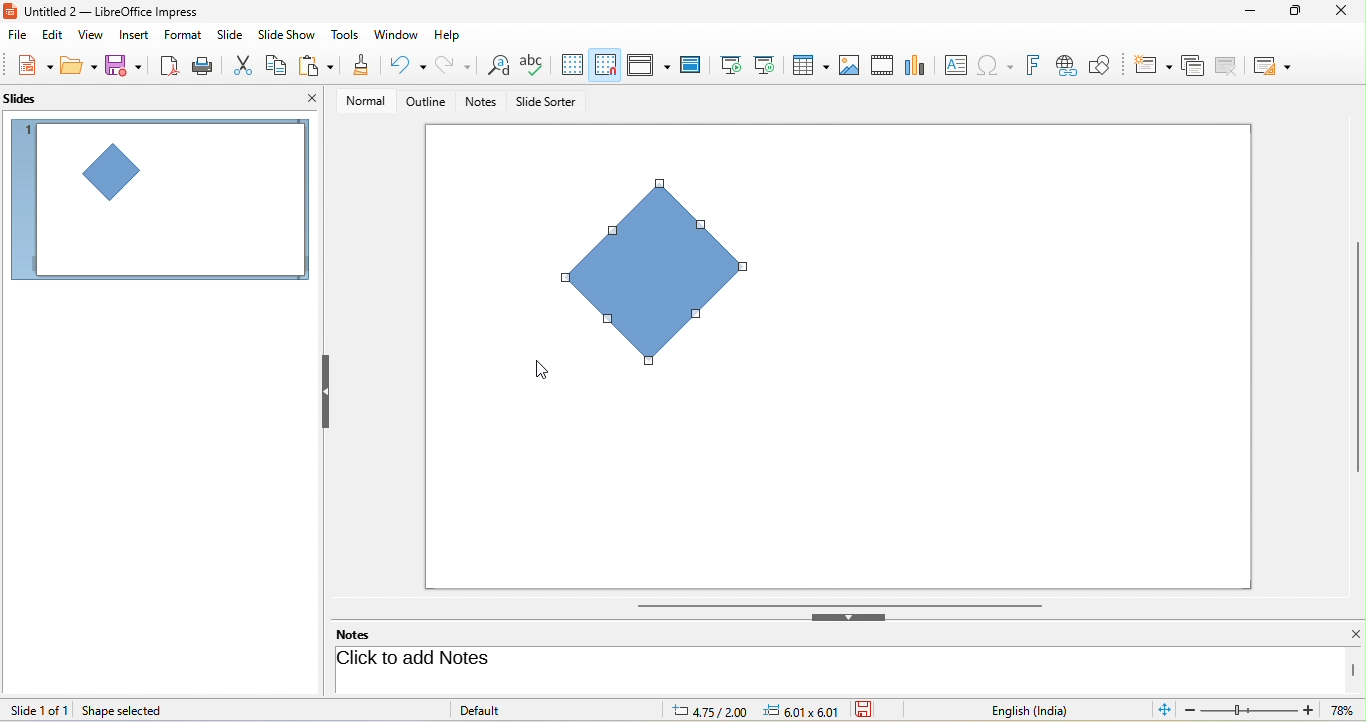 The image size is (1366, 722). I want to click on special character, so click(999, 65).